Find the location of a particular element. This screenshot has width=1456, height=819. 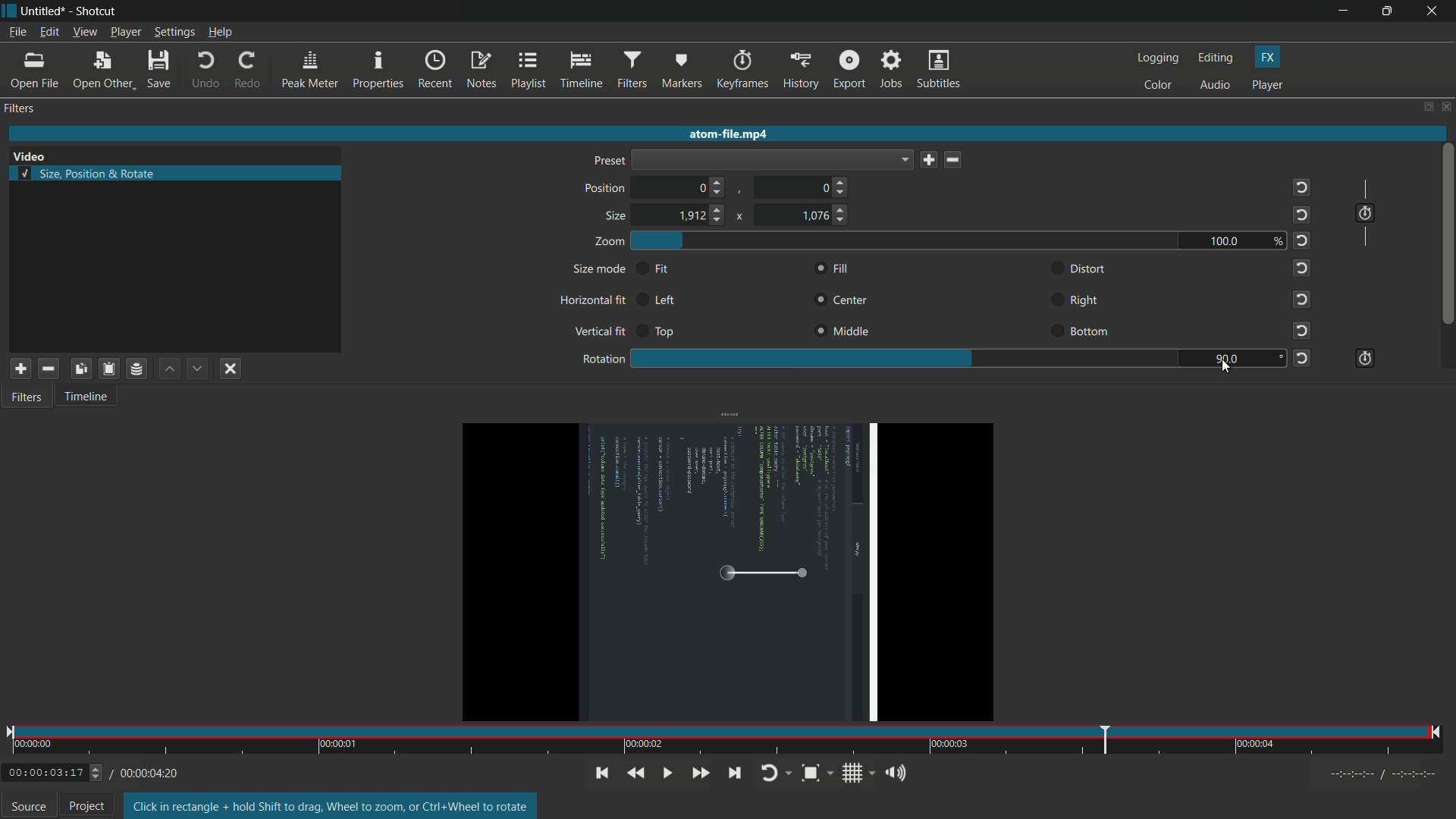

properties is located at coordinates (377, 71).